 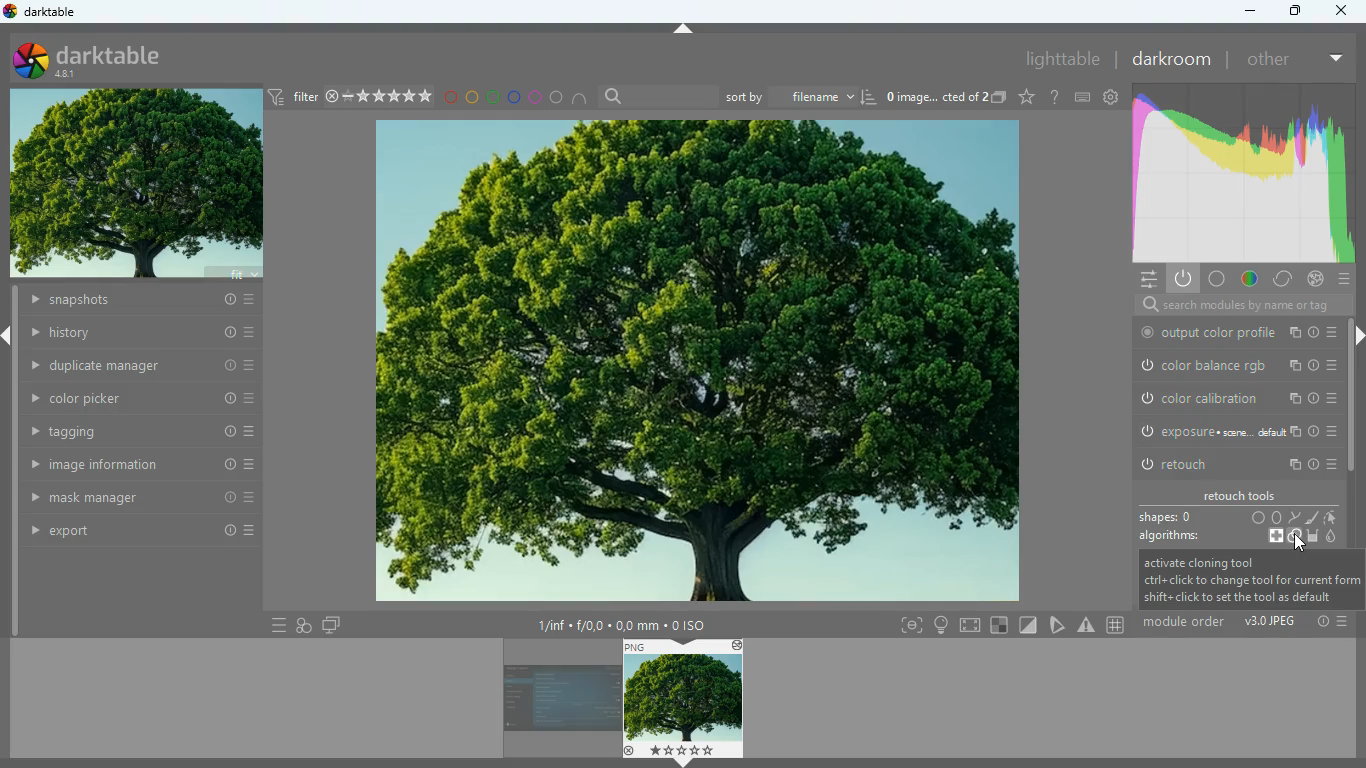 What do you see at coordinates (1320, 622) in the screenshot?
I see `info` at bounding box center [1320, 622].